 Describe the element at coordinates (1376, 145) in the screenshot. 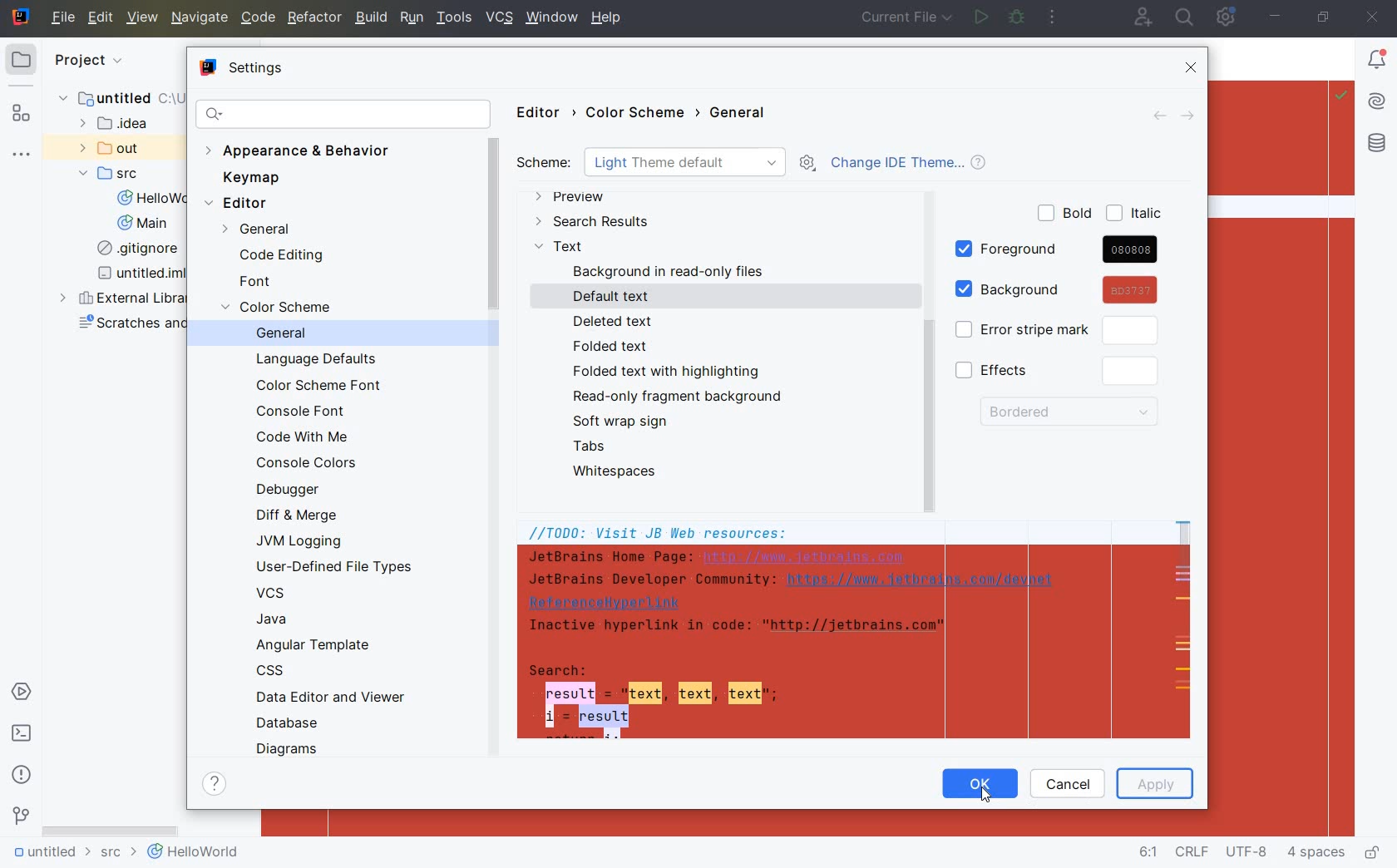

I see `database` at that location.